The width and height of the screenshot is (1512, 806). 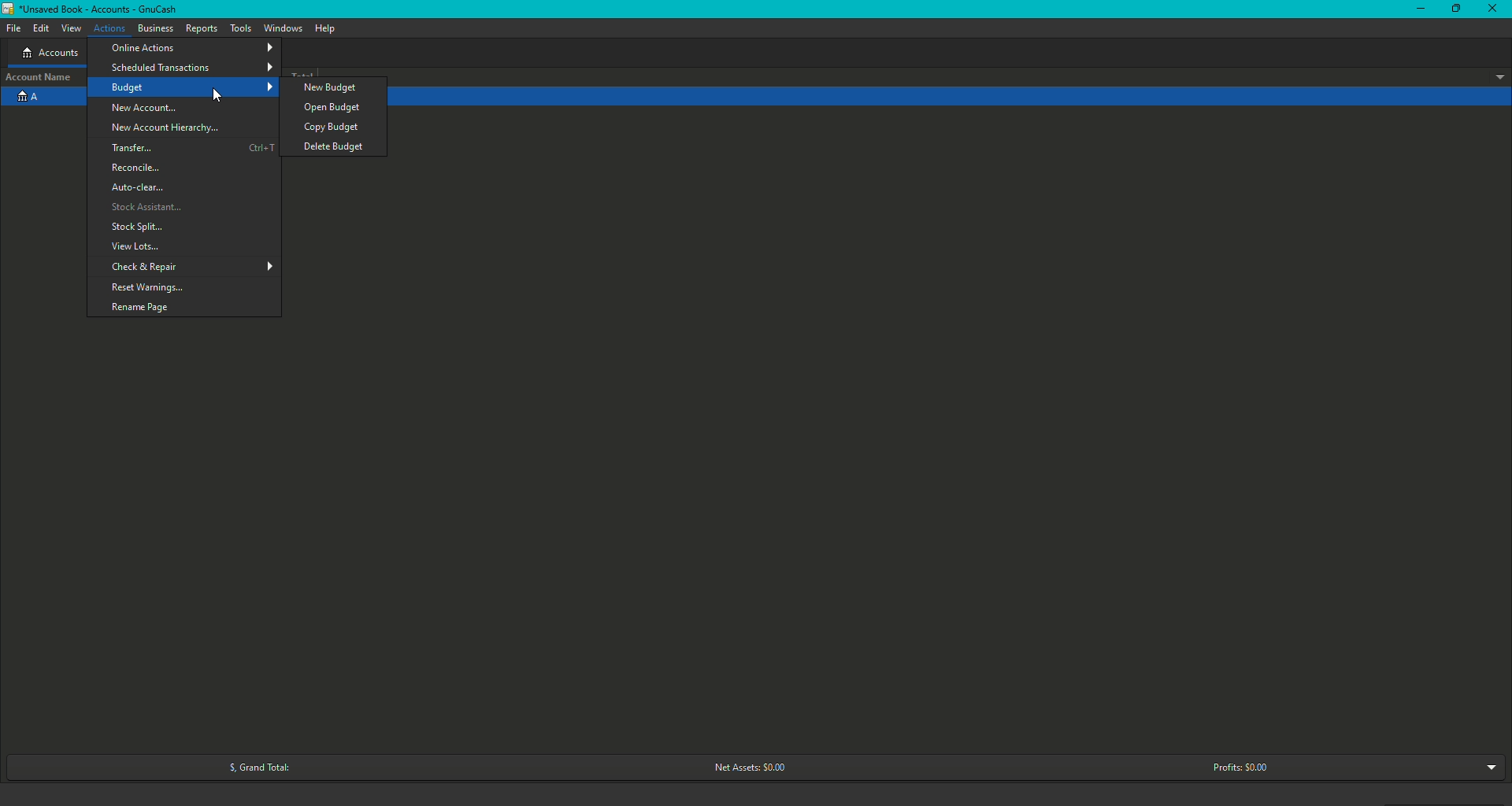 What do you see at coordinates (136, 227) in the screenshot?
I see `Stock Splits` at bounding box center [136, 227].